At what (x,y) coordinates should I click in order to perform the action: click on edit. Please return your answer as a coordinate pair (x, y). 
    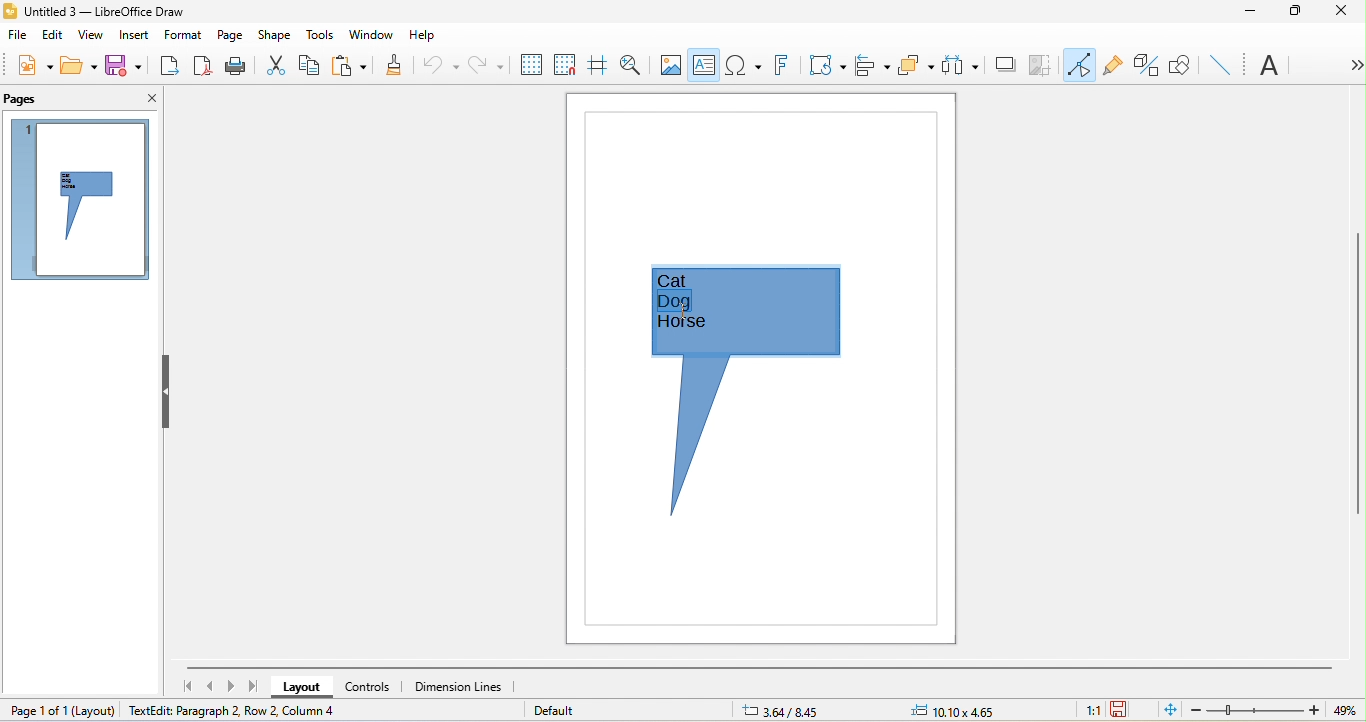
    Looking at the image, I should click on (52, 34).